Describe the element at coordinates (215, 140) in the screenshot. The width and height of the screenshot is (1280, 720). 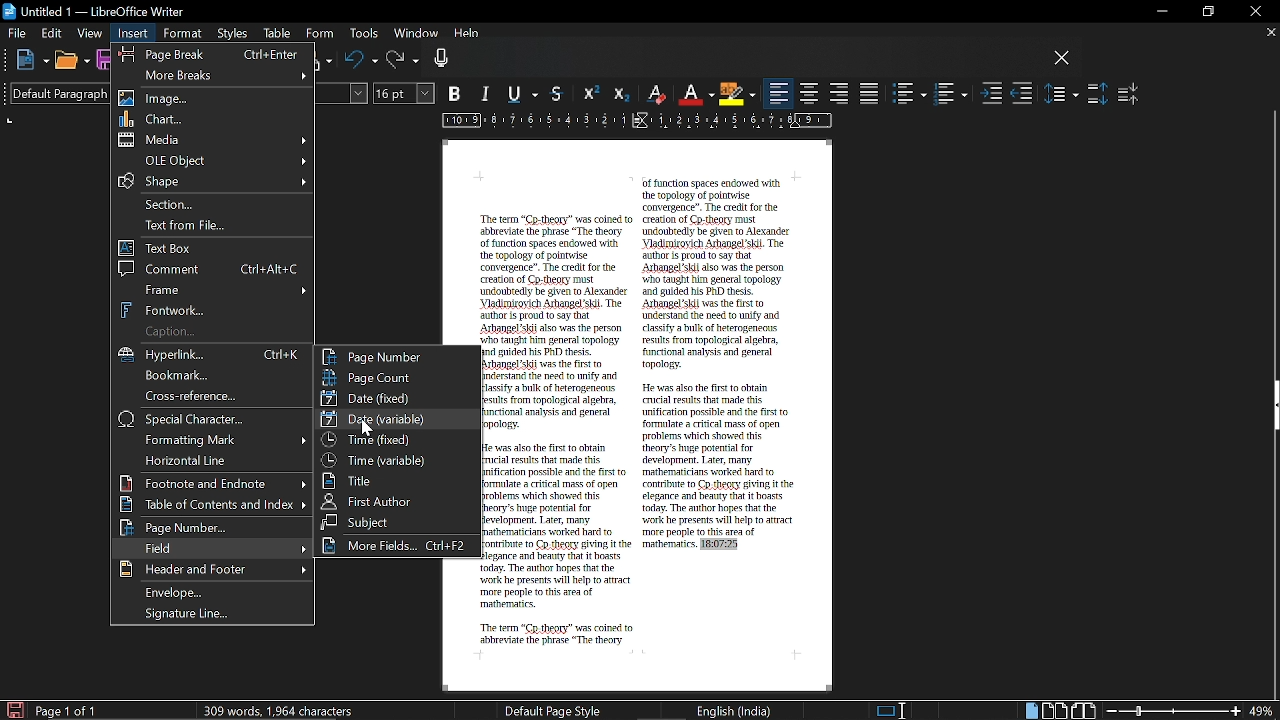
I see `Media` at that location.